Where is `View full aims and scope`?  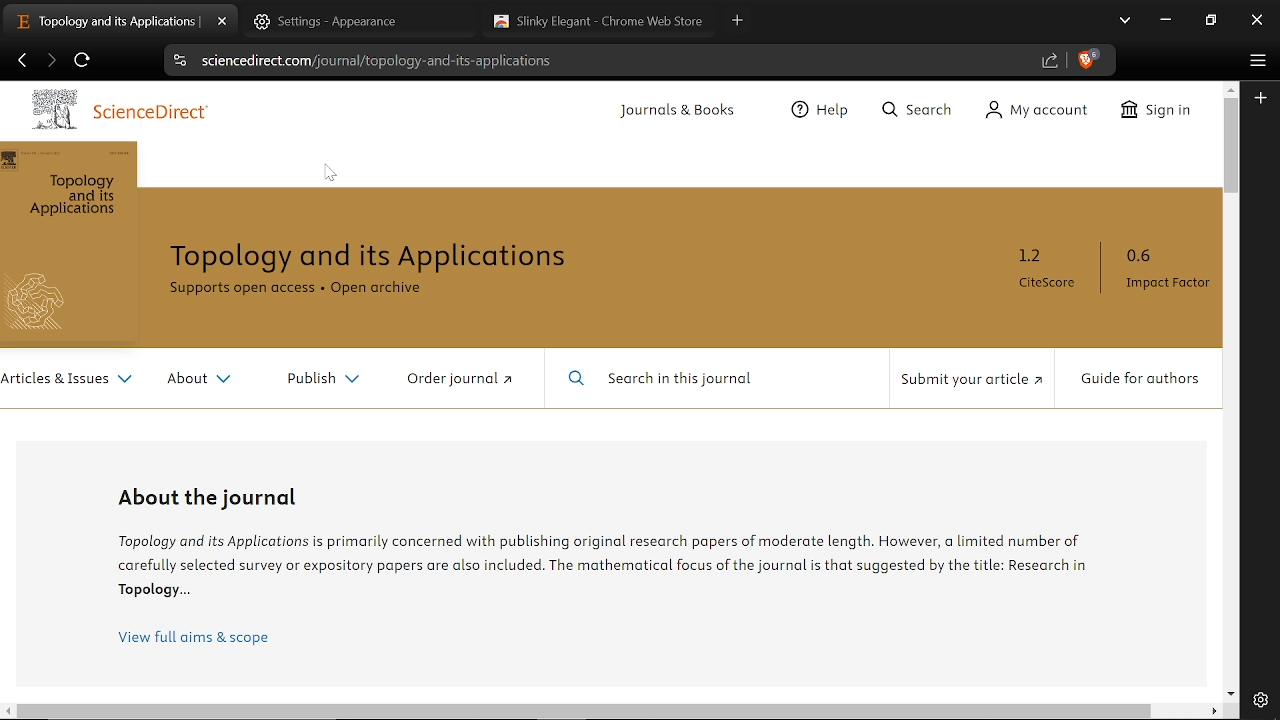 View full aims and scope is located at coordinates (192, 639).